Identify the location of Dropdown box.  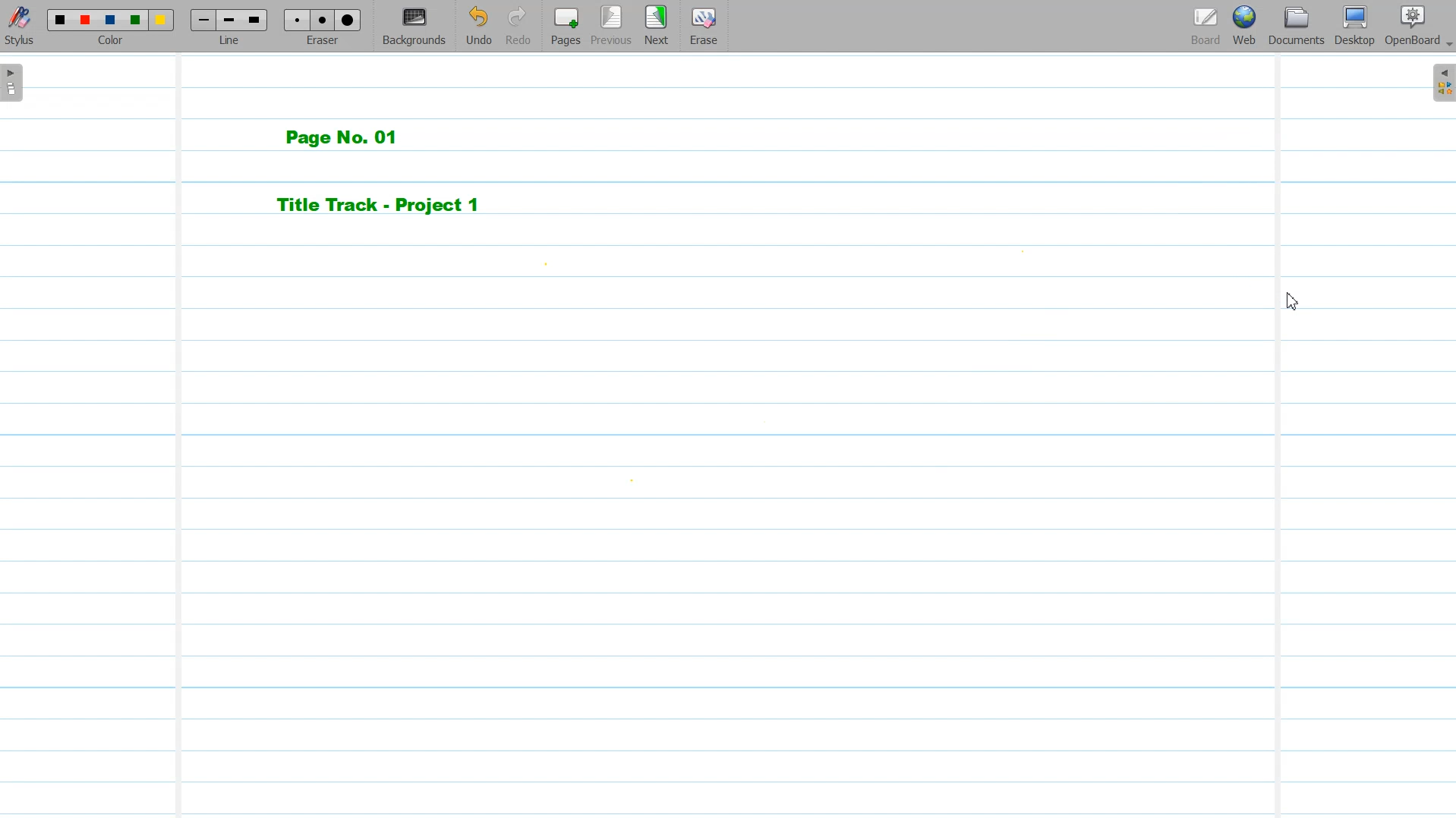
(1447, 47).